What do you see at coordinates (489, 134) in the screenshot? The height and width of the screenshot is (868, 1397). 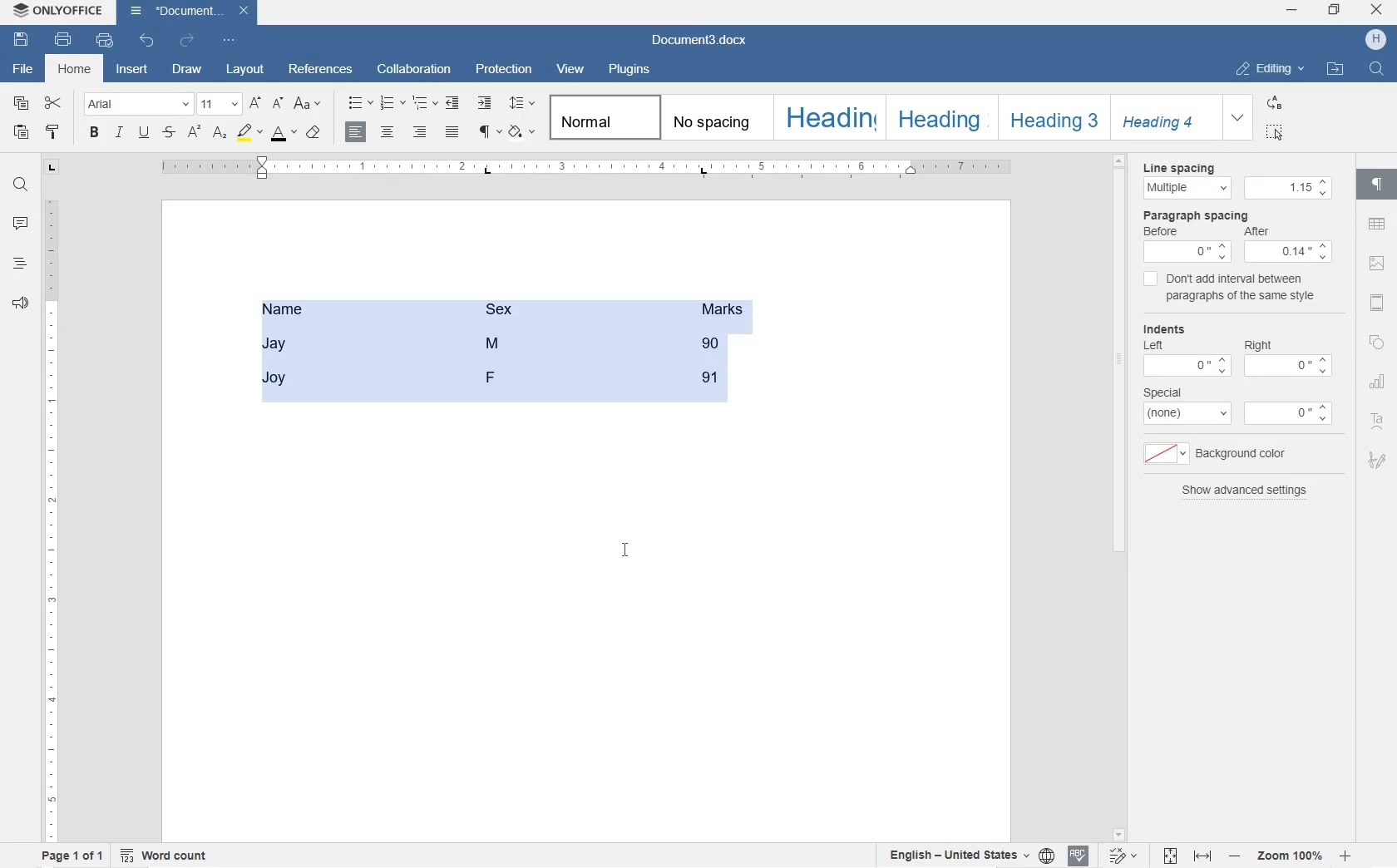 I see `NONPRINTING CHARACTERS` at bounding box center [489, 134].